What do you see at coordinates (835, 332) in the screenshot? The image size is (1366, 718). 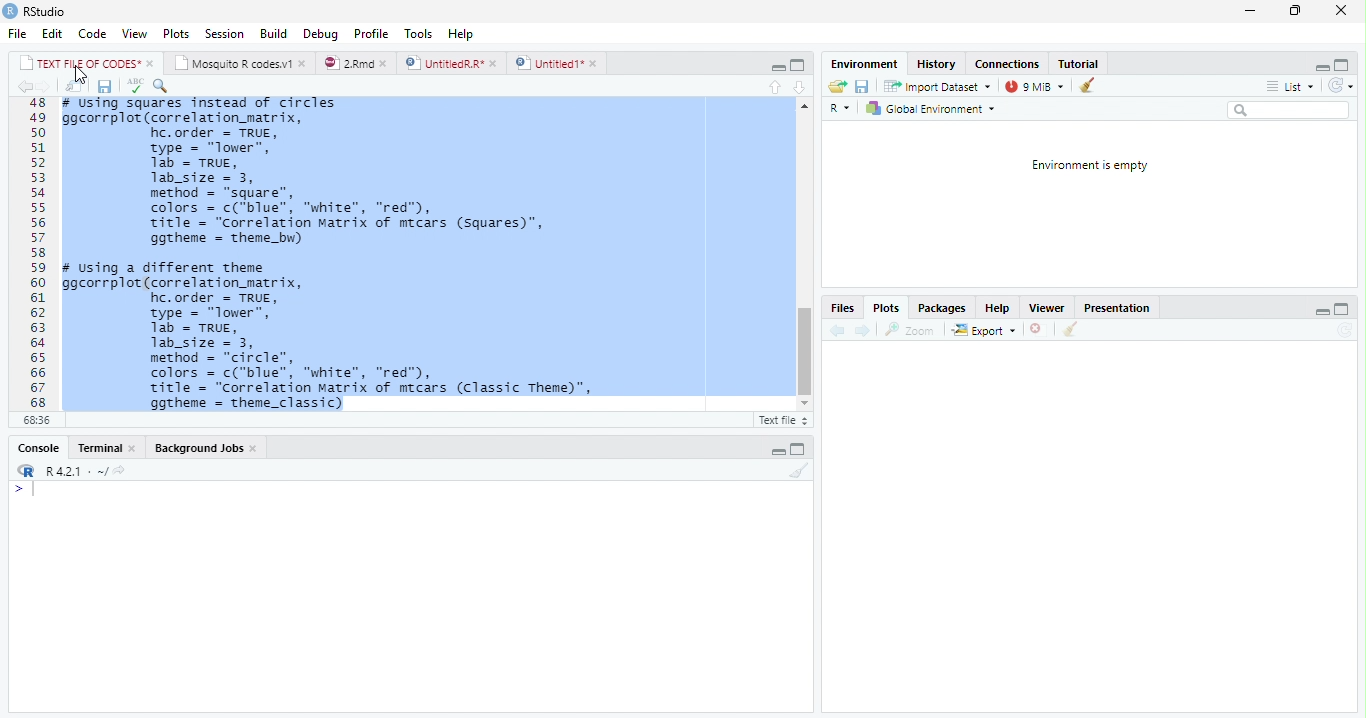 I see `go back` at bounding box center [835, 332].